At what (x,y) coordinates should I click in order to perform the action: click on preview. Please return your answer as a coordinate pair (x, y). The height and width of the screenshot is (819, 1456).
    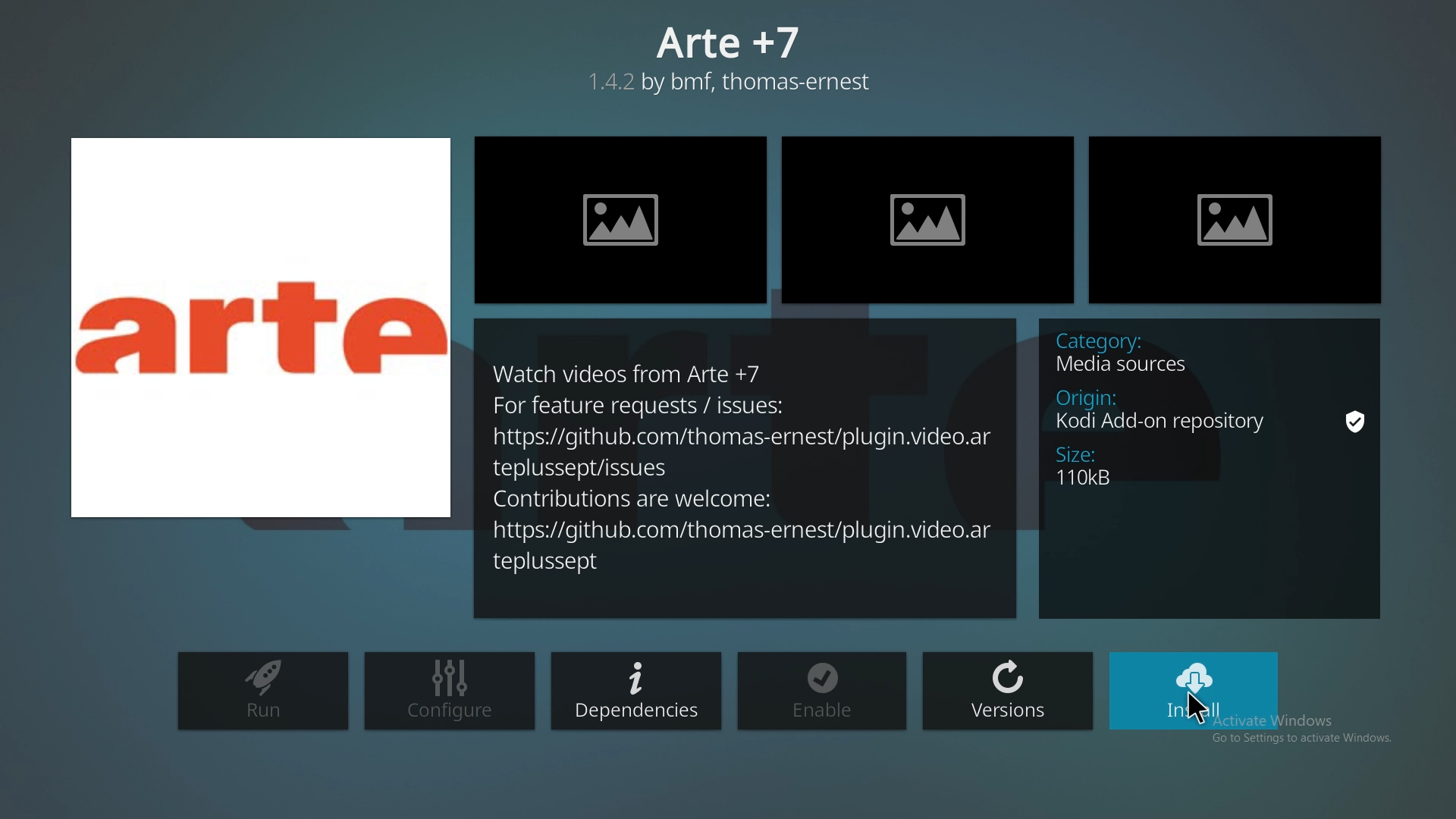
    Looking at the image, I should click on (1235, 220).